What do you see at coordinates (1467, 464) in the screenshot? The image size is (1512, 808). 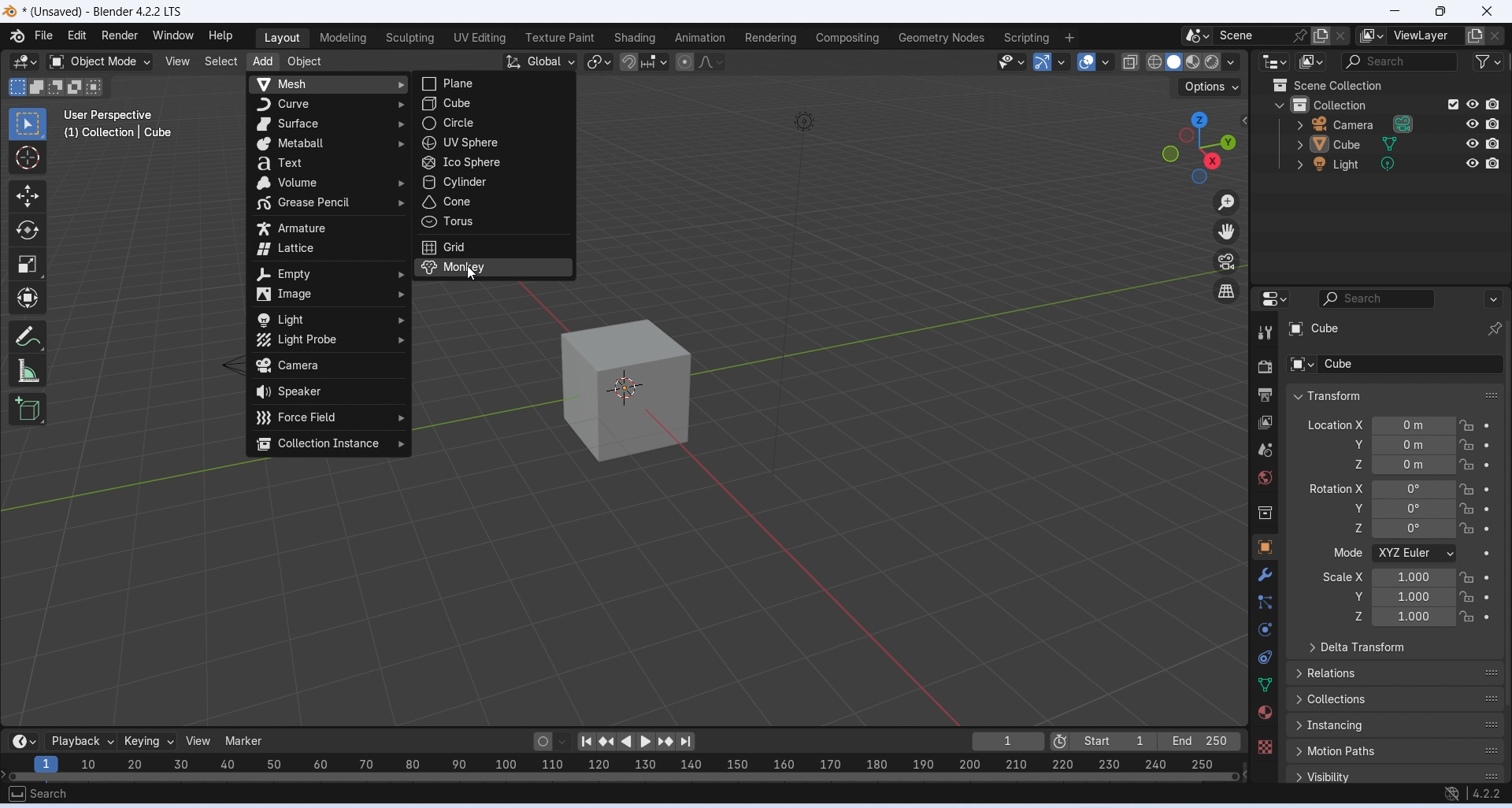 I see `lock location` at bounding box center [1467, 464].